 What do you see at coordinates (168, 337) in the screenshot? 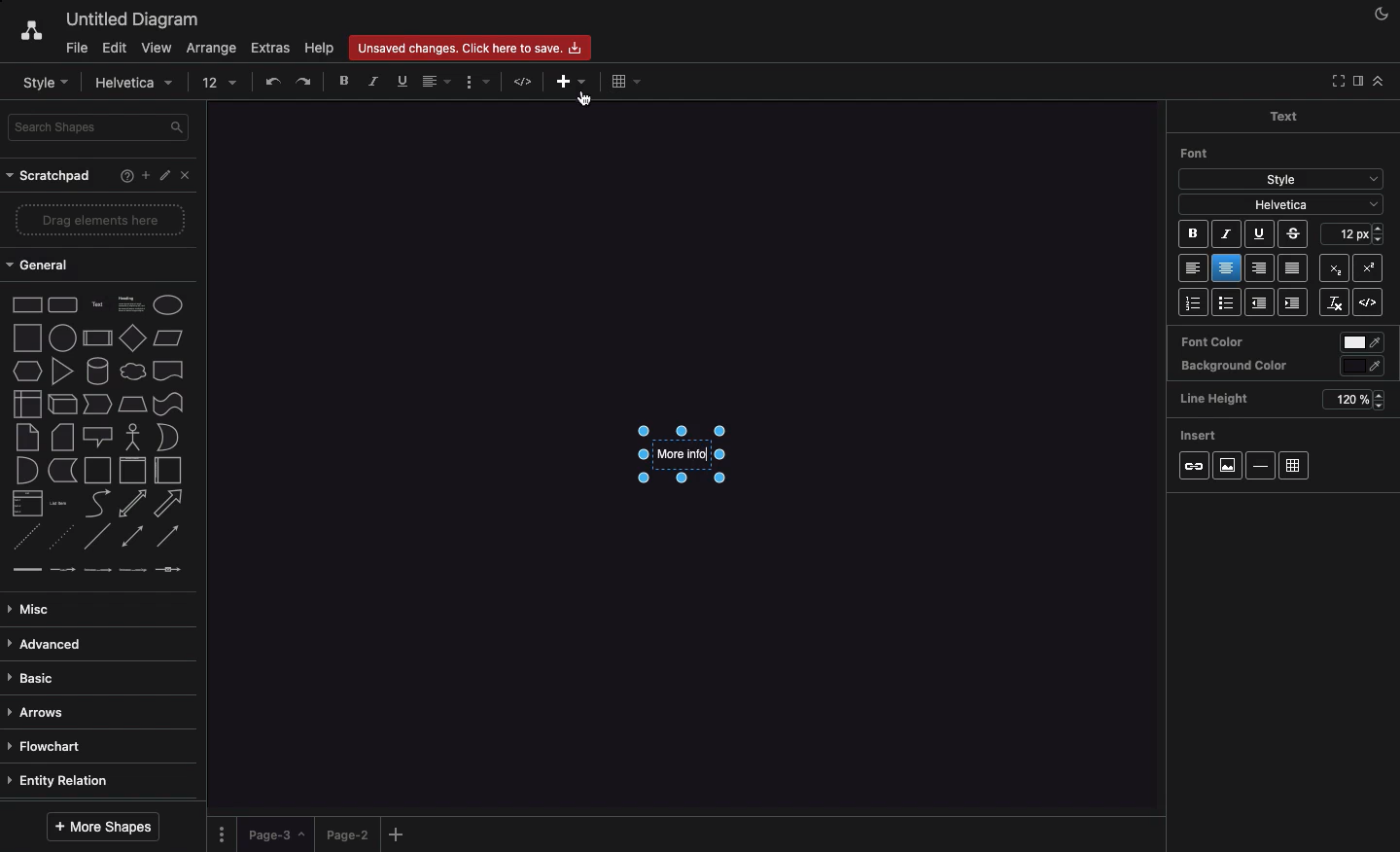
I see `parallelogram` at bounding box center [168, 337].